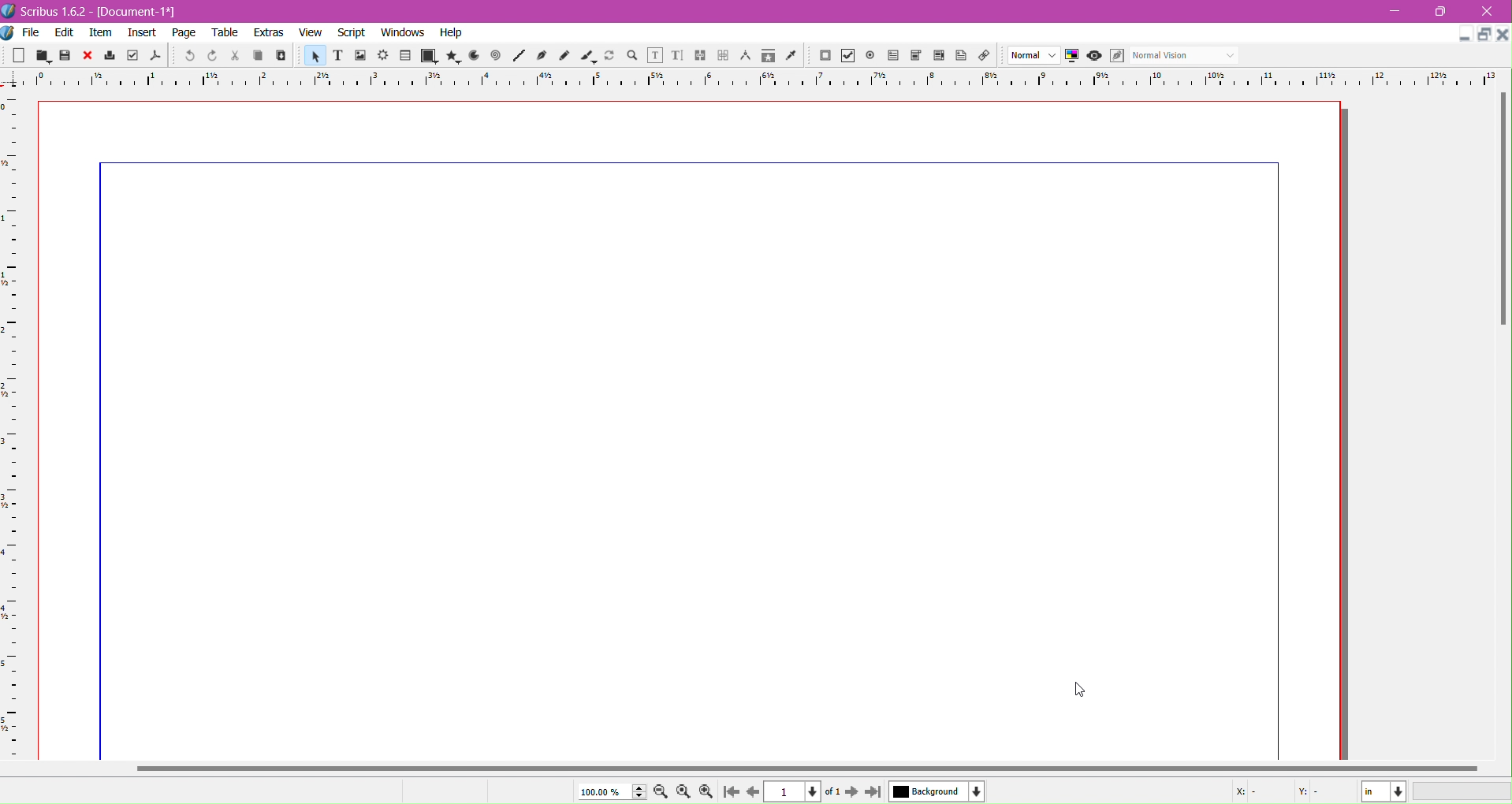 This screenshot has width=1512, height=804. What do you see at coordinates (270, 33) in the screenshot?
I see `extras menu` at bounding box center [270, 33].